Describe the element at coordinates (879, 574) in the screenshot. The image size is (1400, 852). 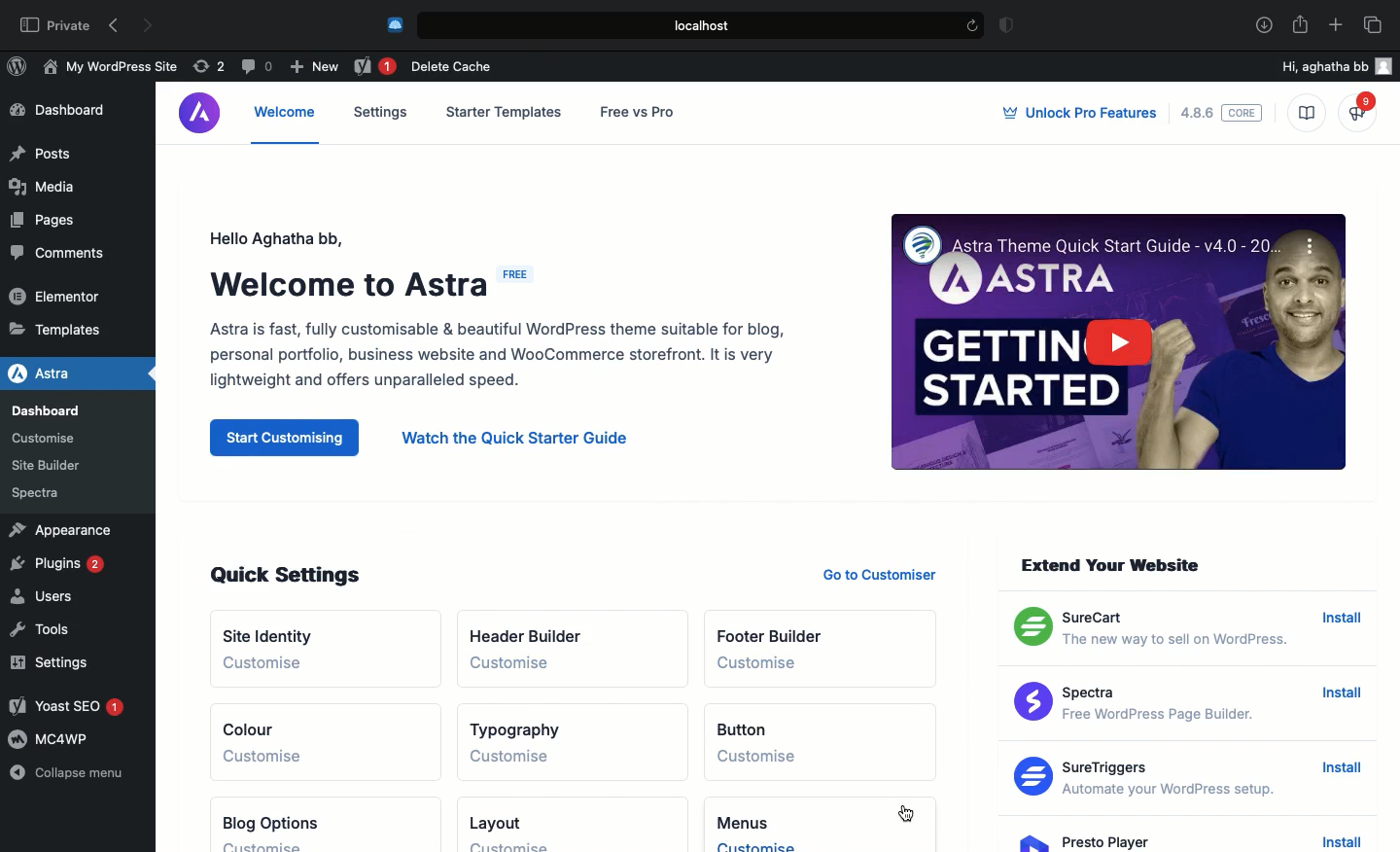
I see `Go to customizer` at that location.